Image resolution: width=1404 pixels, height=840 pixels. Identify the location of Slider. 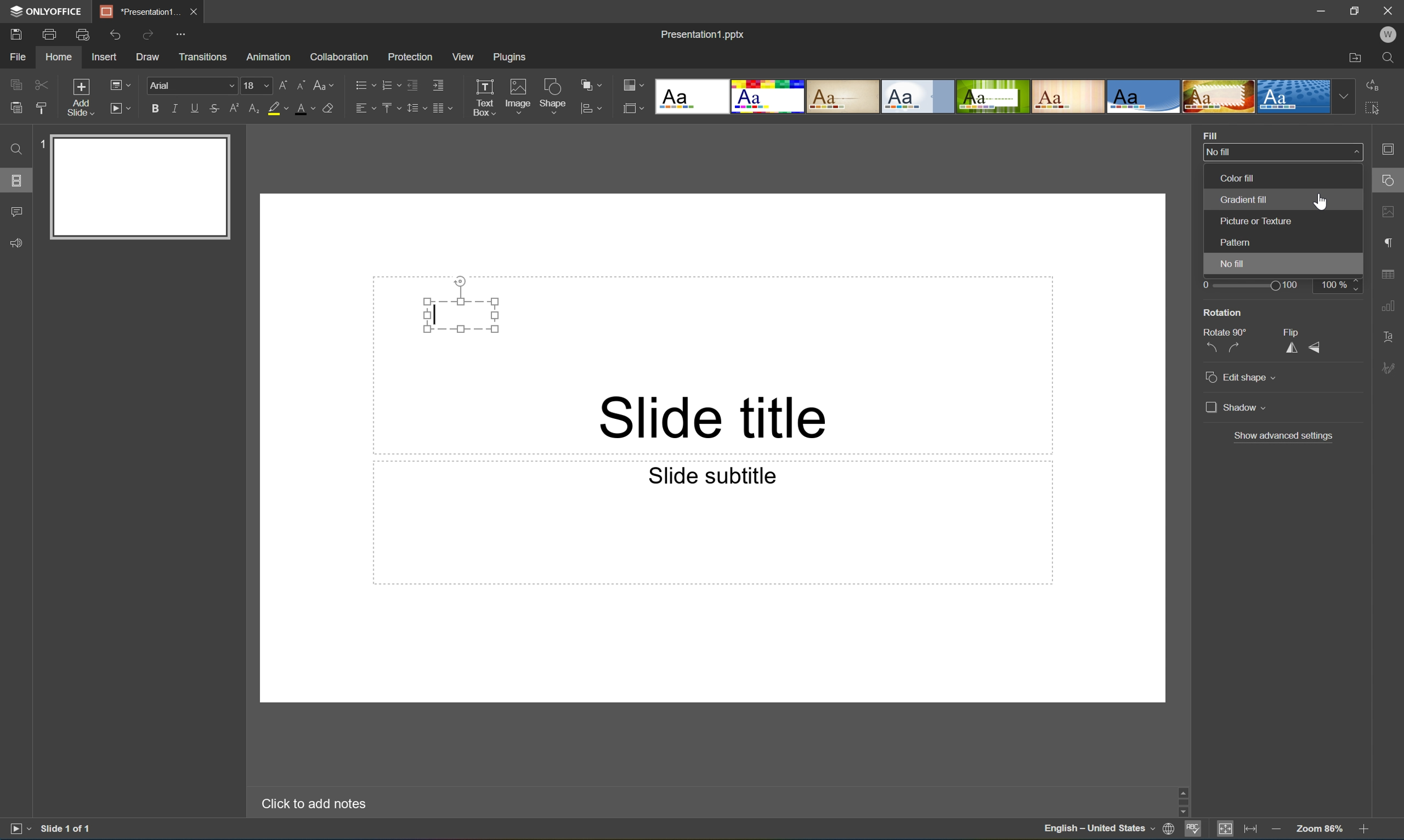
(1251, 285).